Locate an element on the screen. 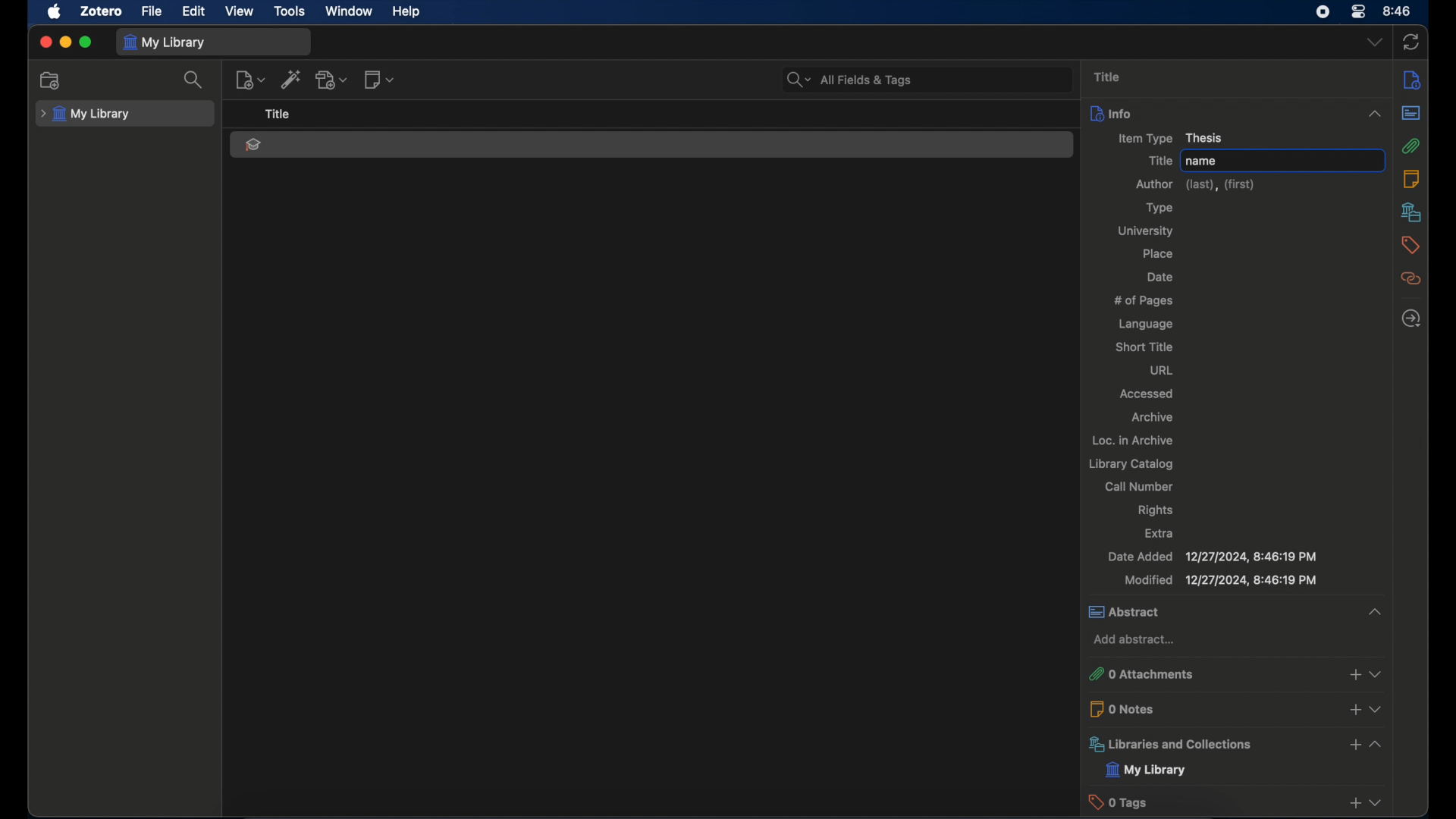  notes is located at coordinates (1414, 178).